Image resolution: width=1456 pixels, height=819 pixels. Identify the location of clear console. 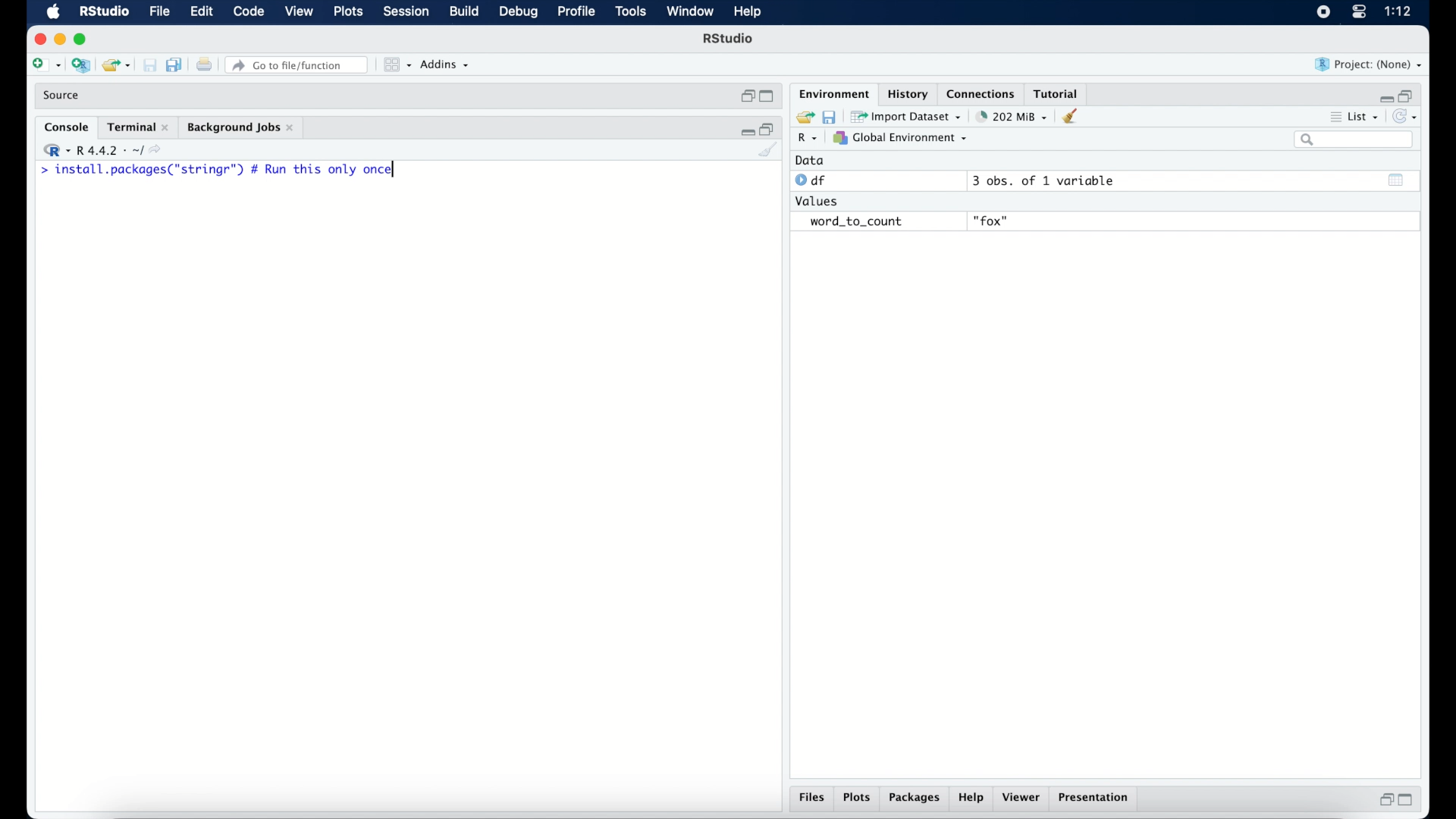
(1074, 116).